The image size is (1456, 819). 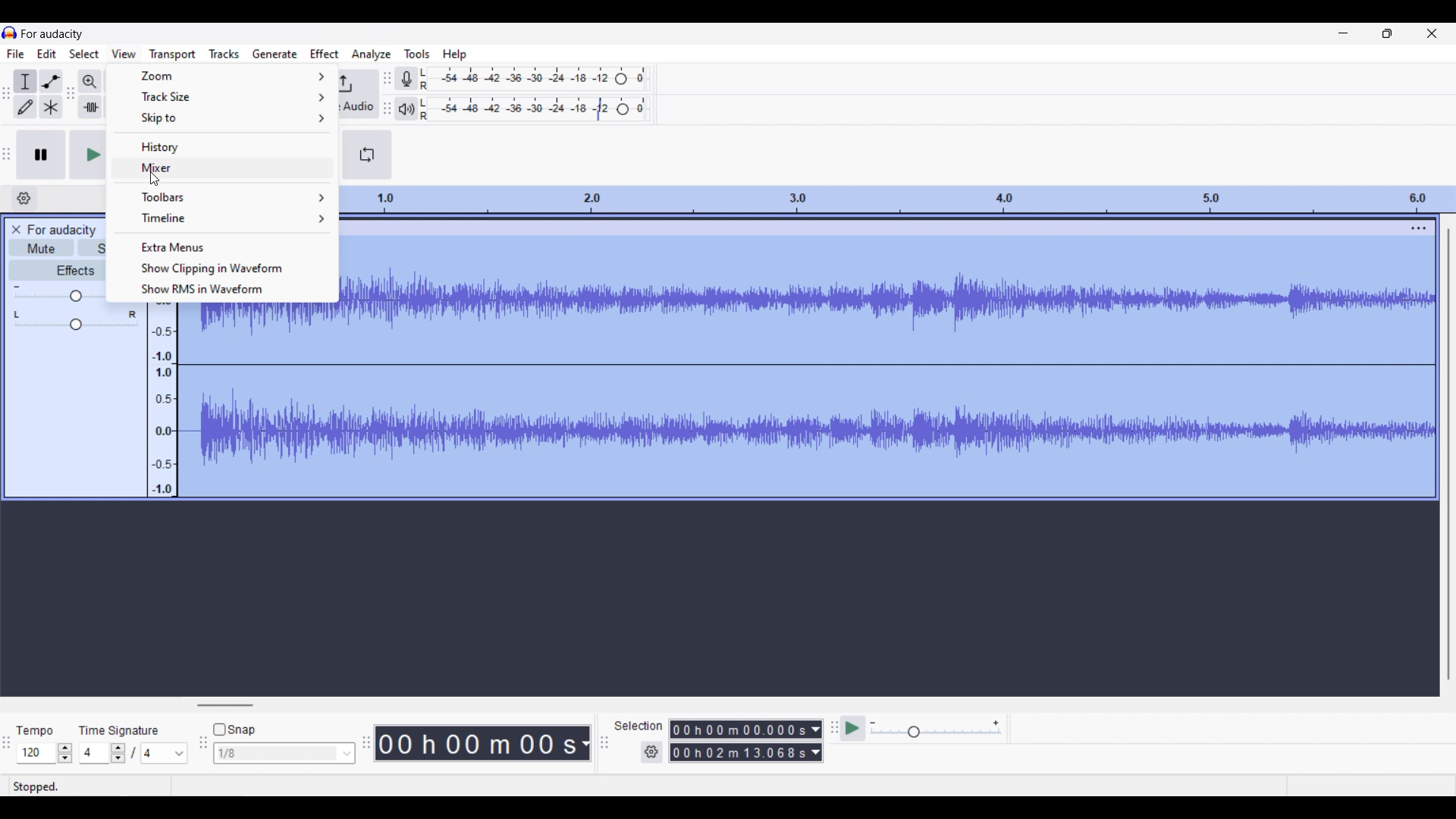 I want to click on Current duration of track, so click(x=477, y=743).